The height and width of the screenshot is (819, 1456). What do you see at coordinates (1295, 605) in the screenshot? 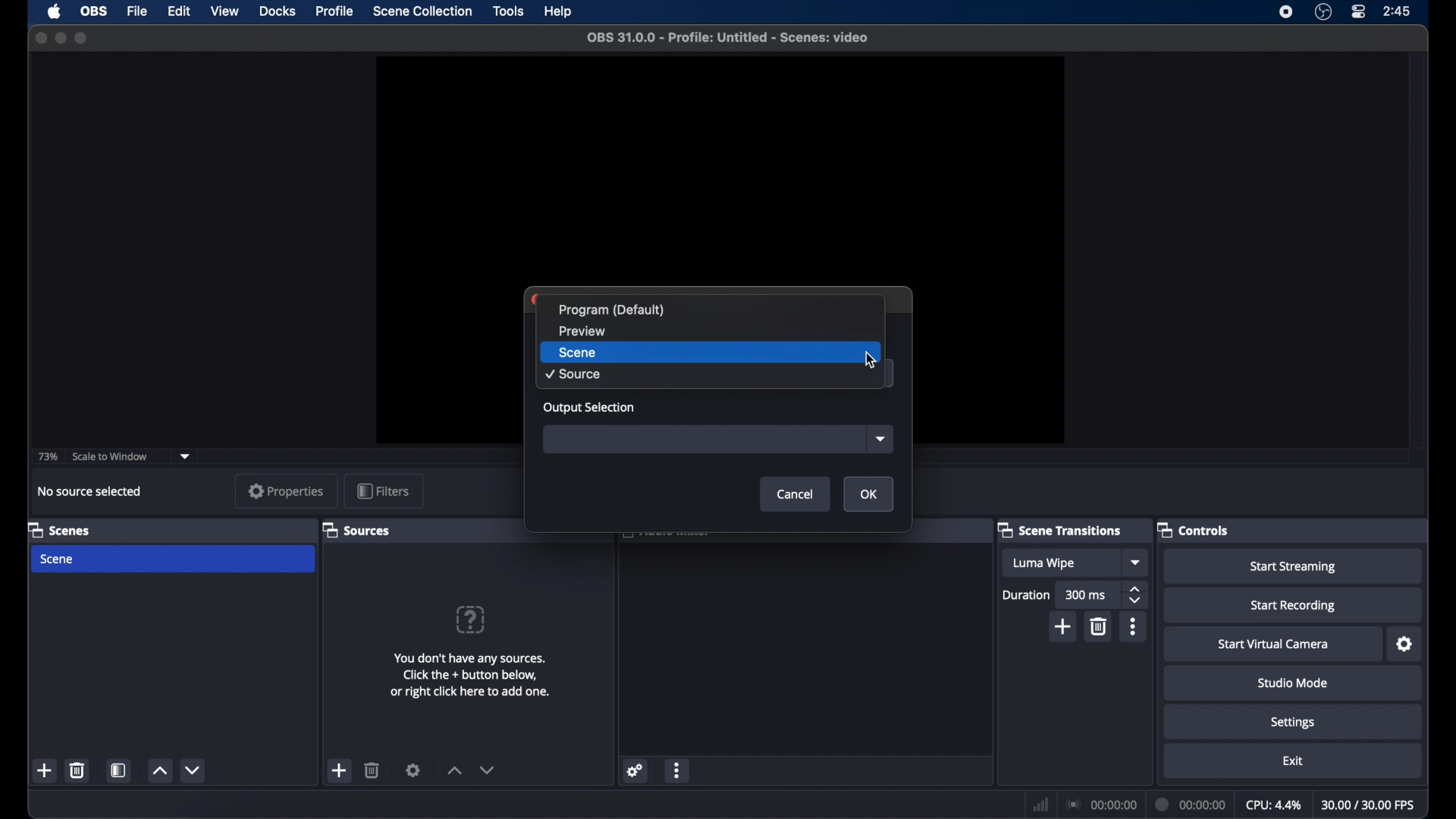
I see `start recording` at bounding box center [1295, 605].